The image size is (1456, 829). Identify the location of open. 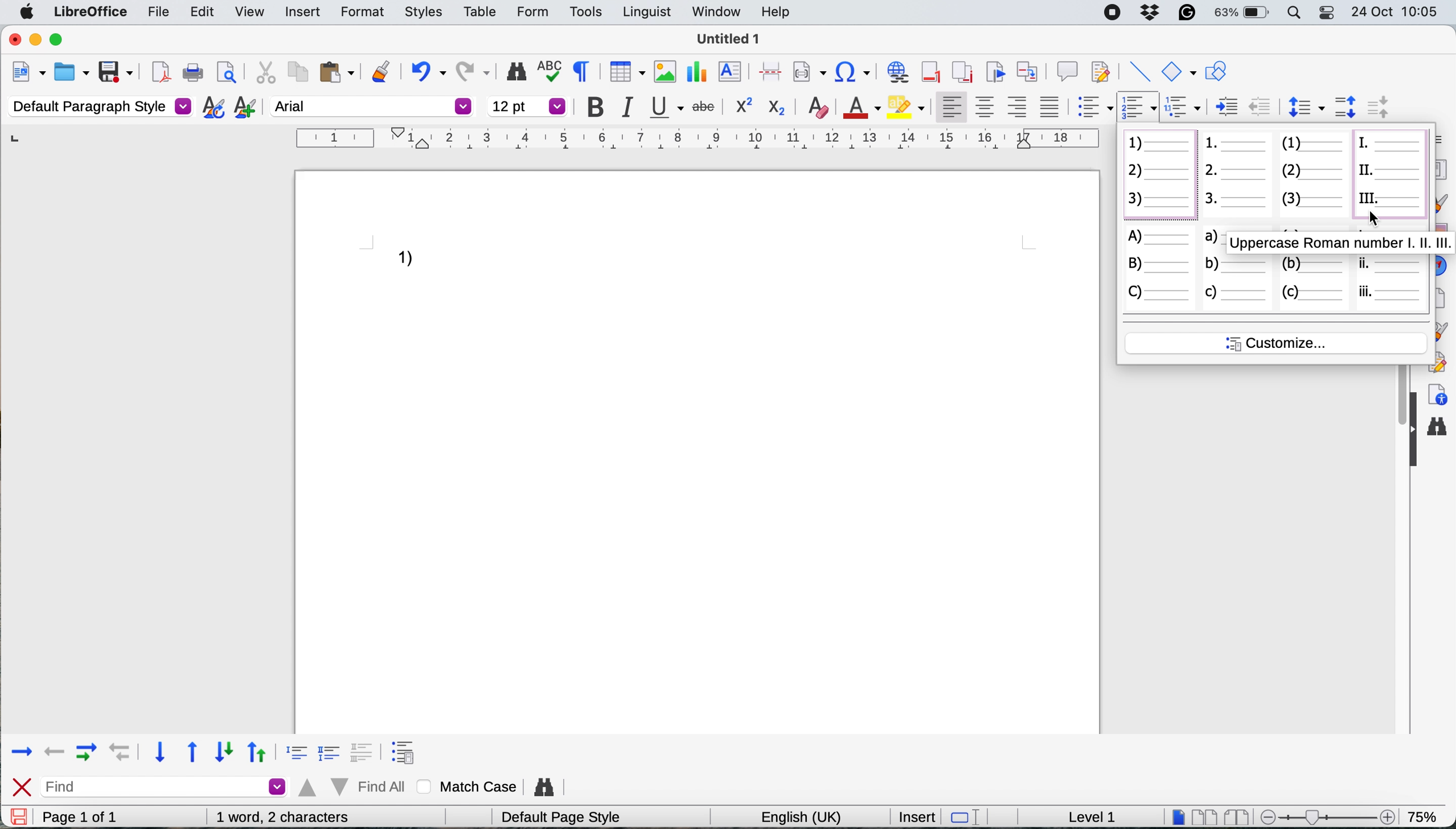
(72, 73).